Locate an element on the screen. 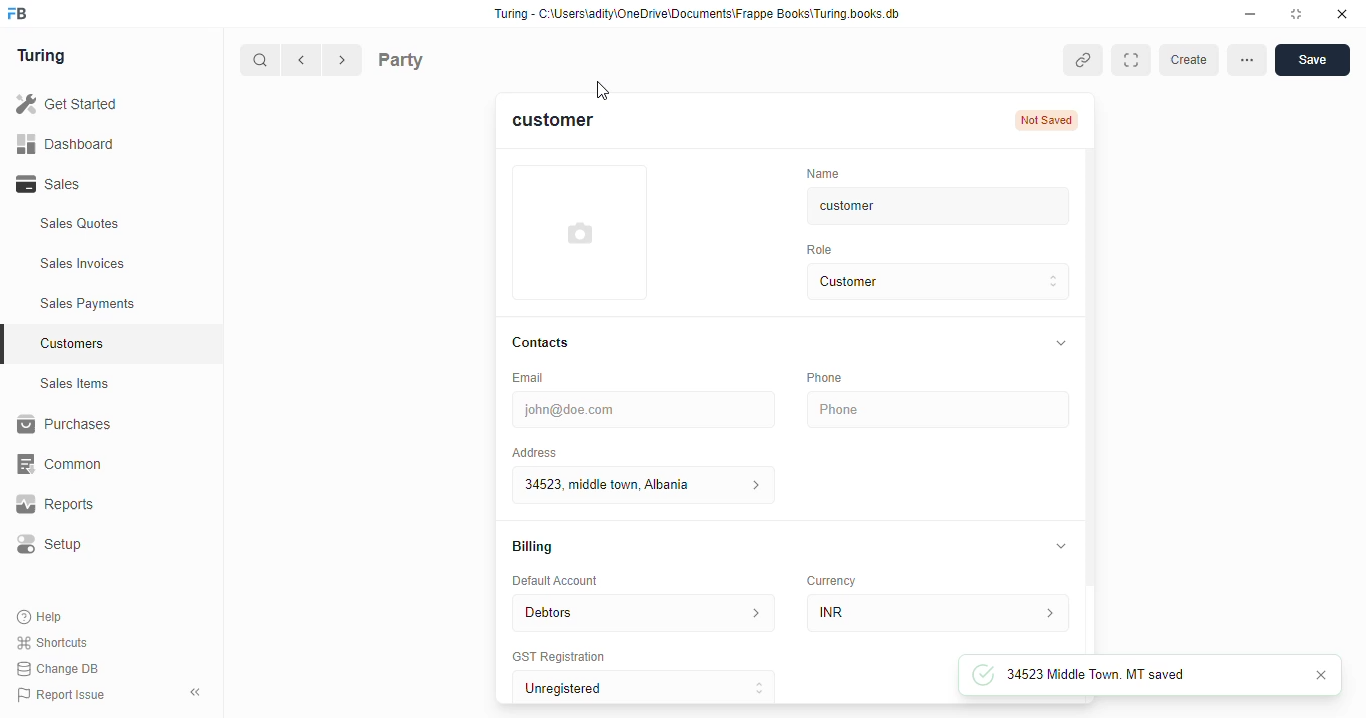 The height and width of the screenshot is (718, 1366). collapse is located at coordinates (1061, 544).